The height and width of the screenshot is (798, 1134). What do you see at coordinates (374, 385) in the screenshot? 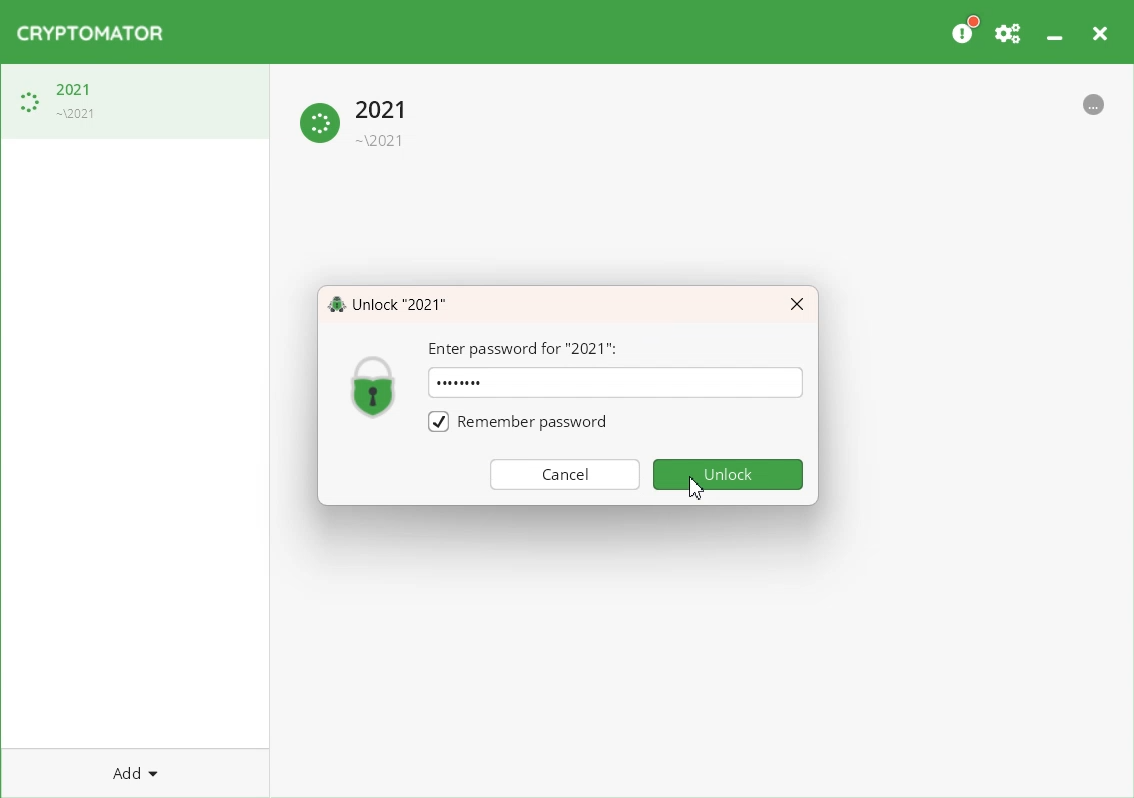
I see `Logo` at bounding box center [374, 385].